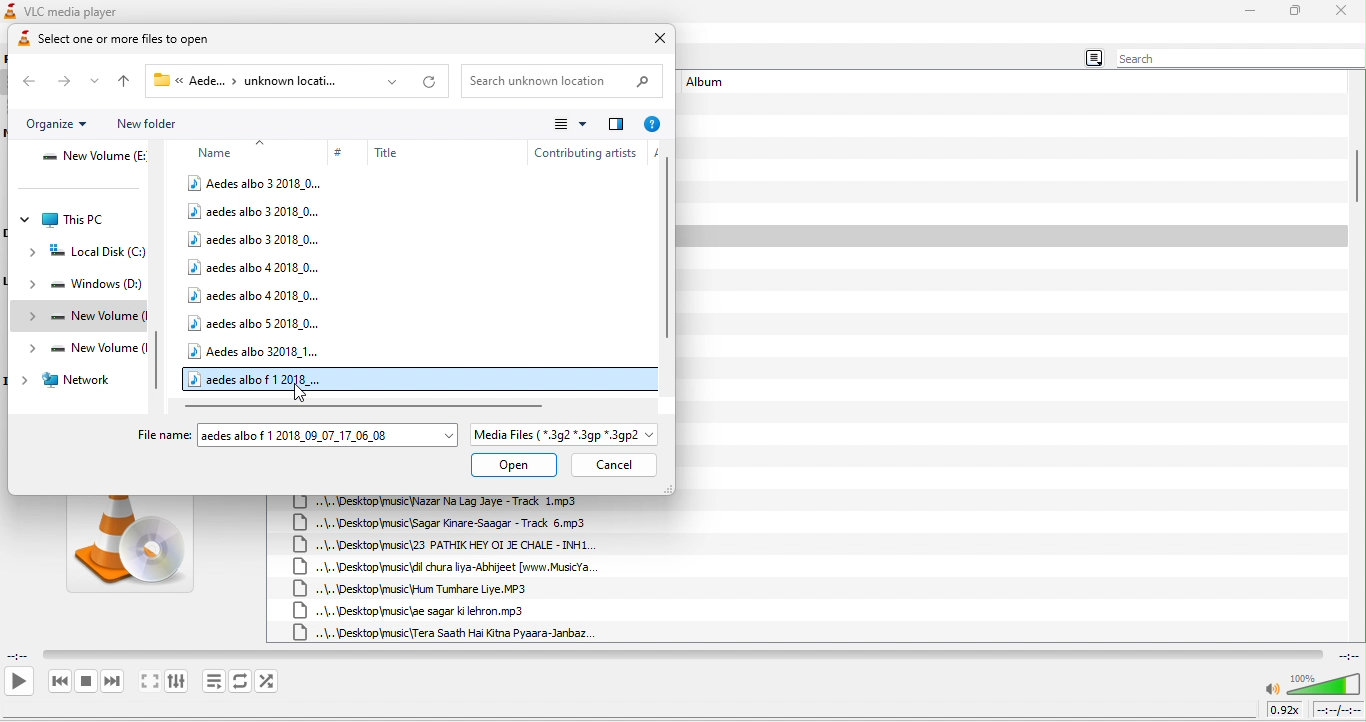  What do you see at coordinates (1296, 12) in the screenshot?
I see `maximize` at bounding box center [1296, 12].